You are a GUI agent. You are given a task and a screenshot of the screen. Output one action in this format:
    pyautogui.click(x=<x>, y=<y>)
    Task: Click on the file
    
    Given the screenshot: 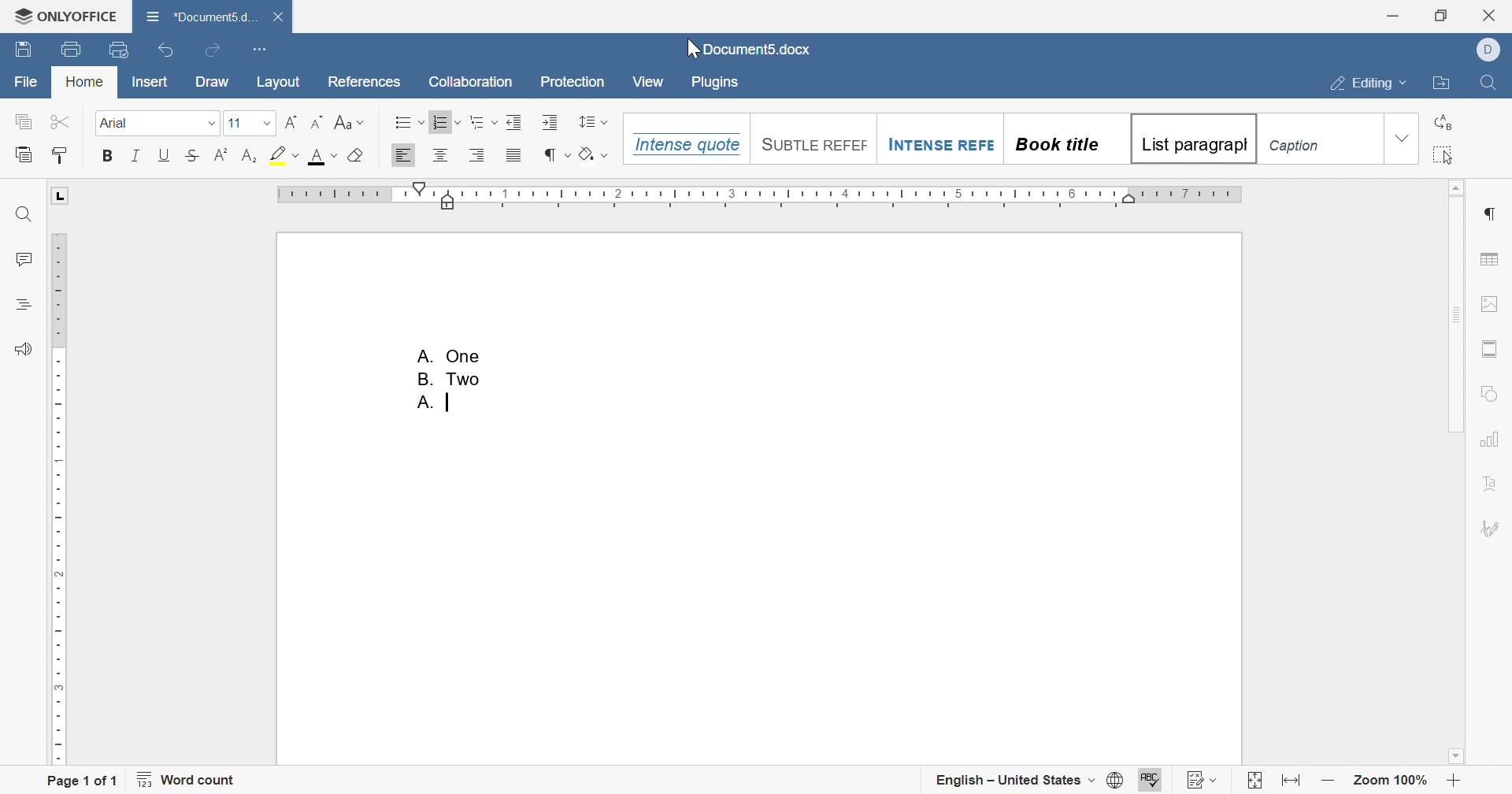 What is the action you would take?
    pyautogui.click(x=26, y=82)
    